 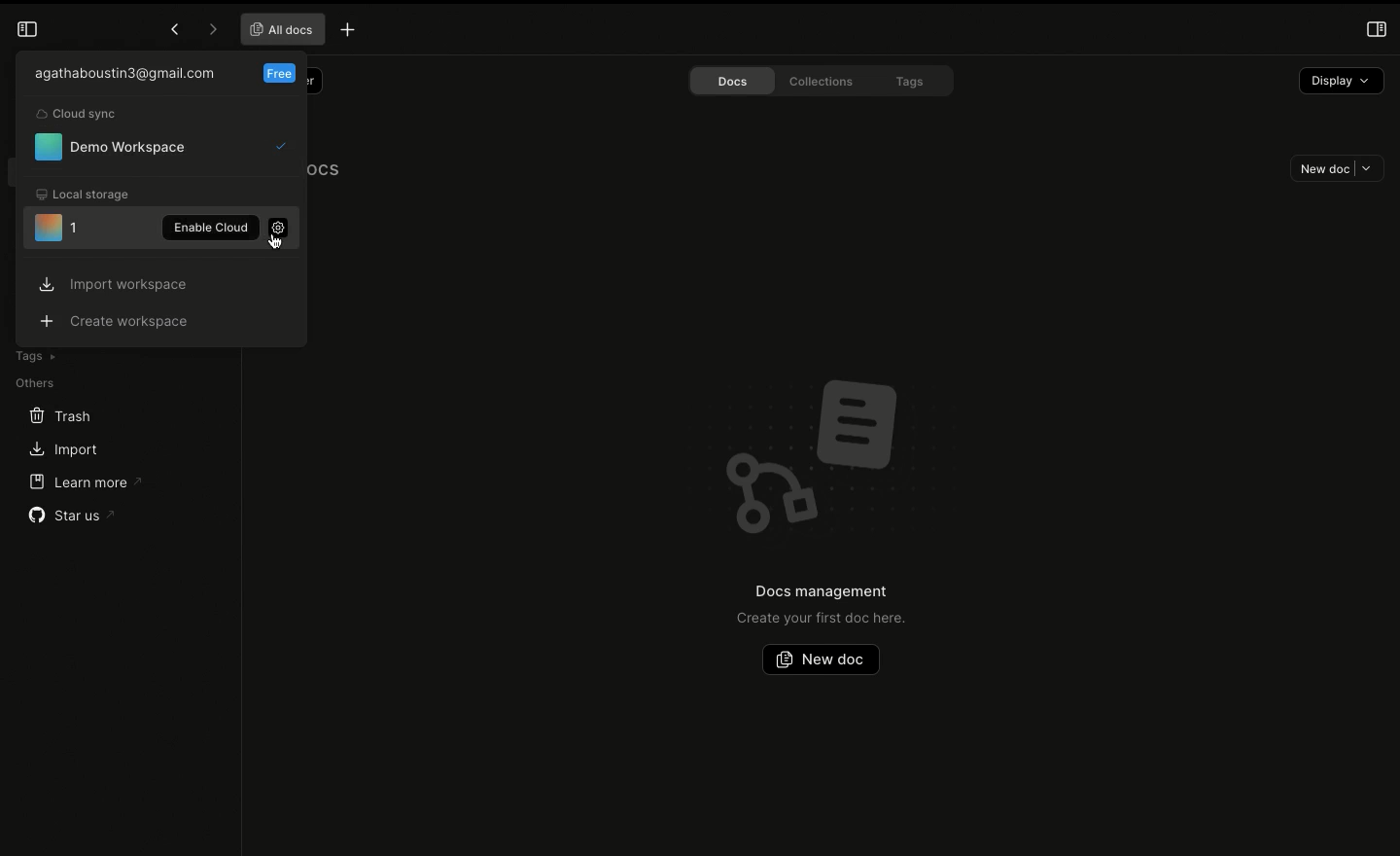 What do you see at coordinates (84, 196) in the screenshot?
I see `Local storage` at bounding box center [84, 196].